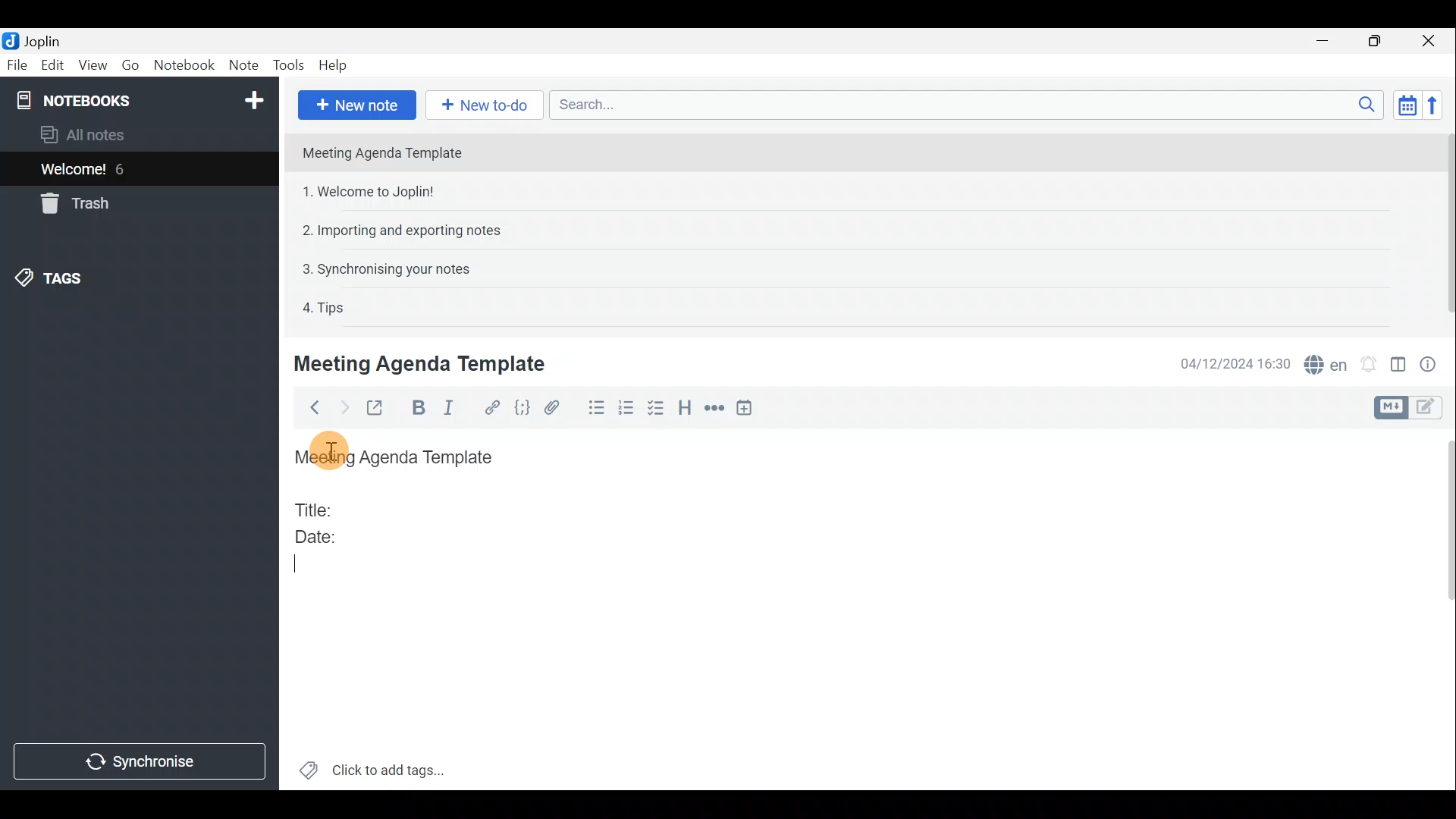  What do you see at coordinates (494, 407) in the screenshot?
I see `Hyperlink` at bounding box center [494, 407].